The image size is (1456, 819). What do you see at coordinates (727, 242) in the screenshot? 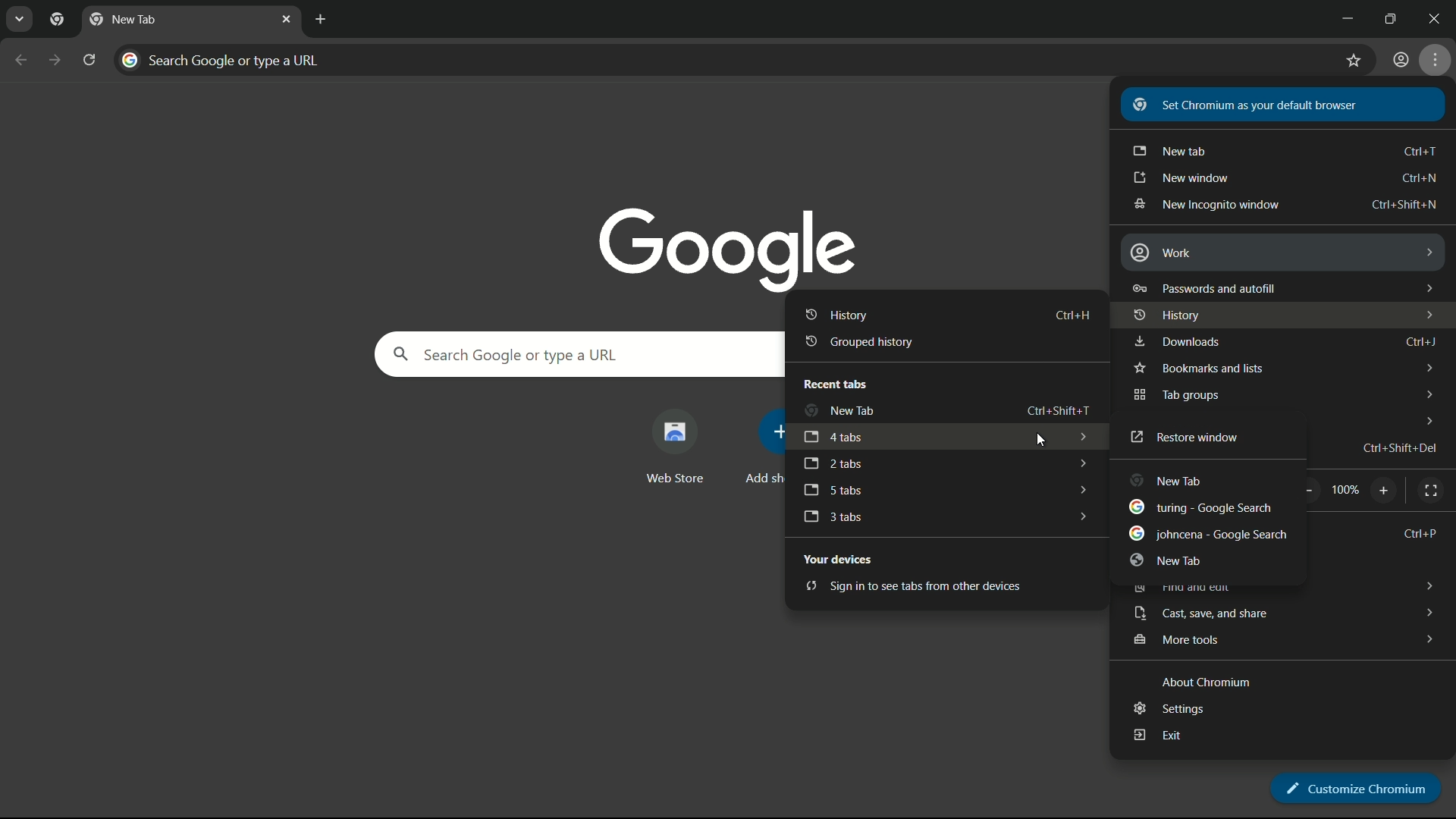
I see `google` at bounding box center [727, 242].